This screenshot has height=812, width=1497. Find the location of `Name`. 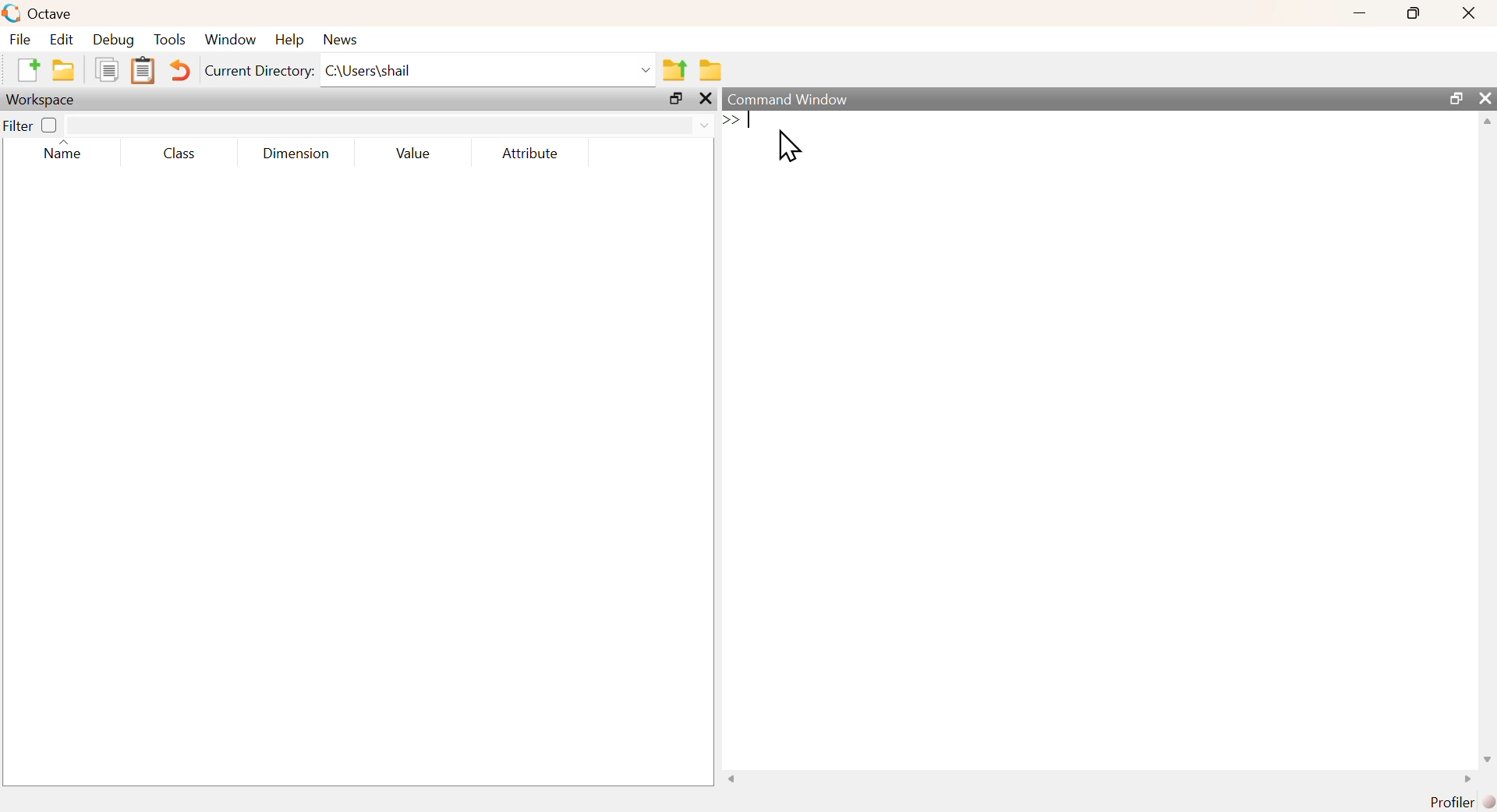

Name is located at coordinates (62, 150).